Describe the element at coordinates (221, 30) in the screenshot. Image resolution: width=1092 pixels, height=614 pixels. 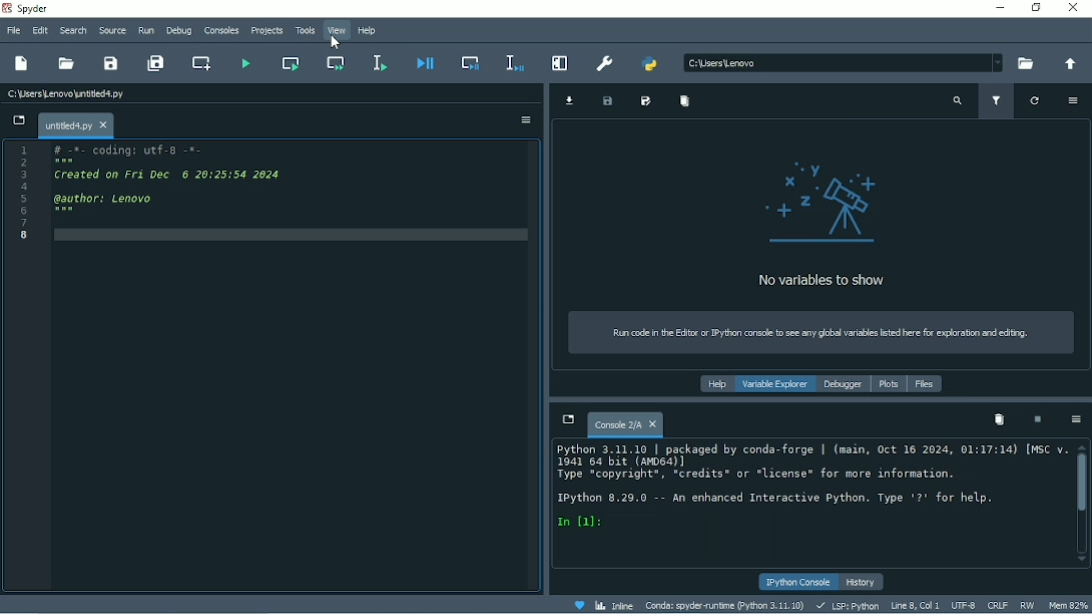
I see `Consoles` at that location.